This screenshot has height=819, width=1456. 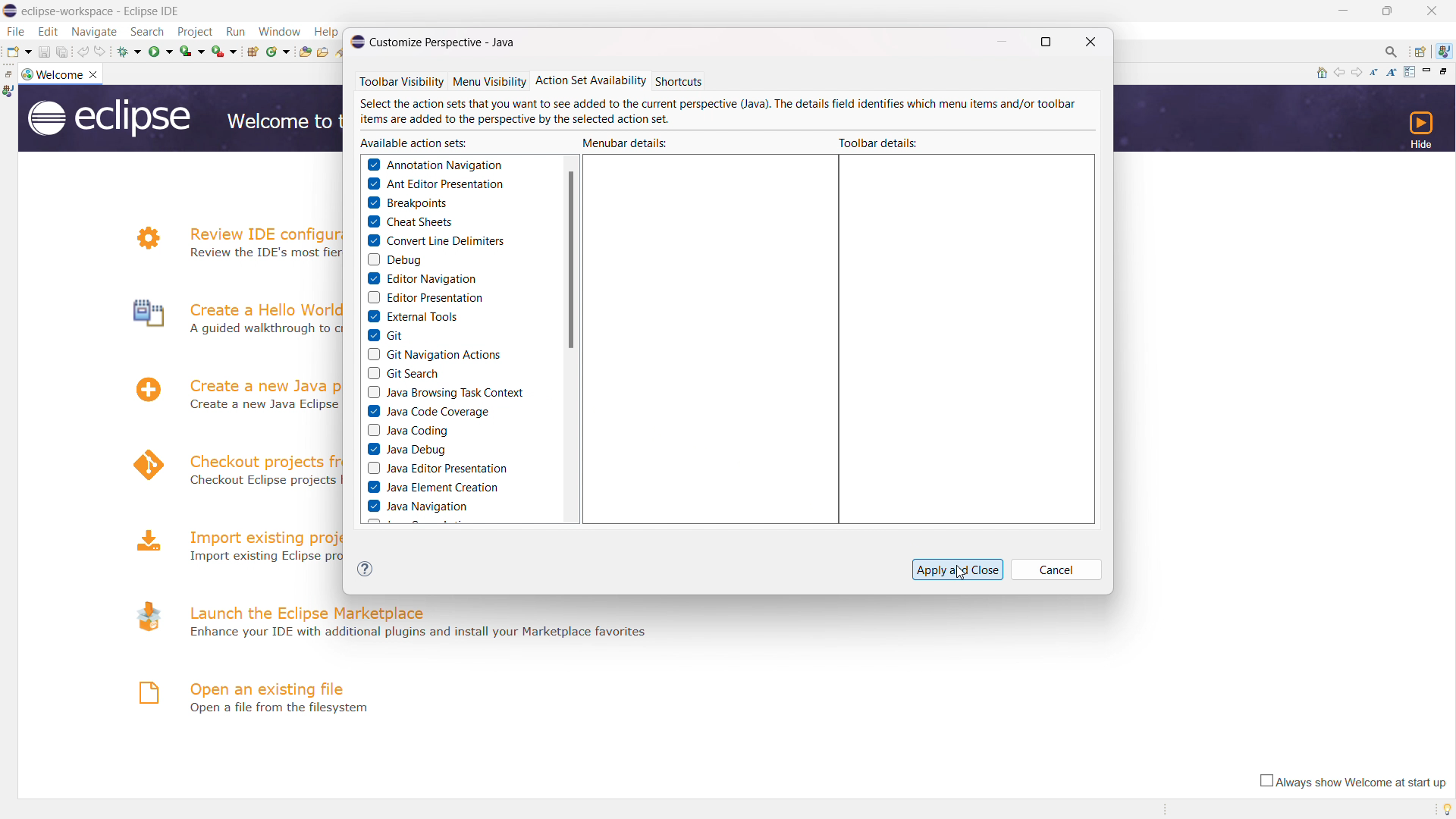 I want to click on Open a file from filesystem, so click(x=277, y=710).